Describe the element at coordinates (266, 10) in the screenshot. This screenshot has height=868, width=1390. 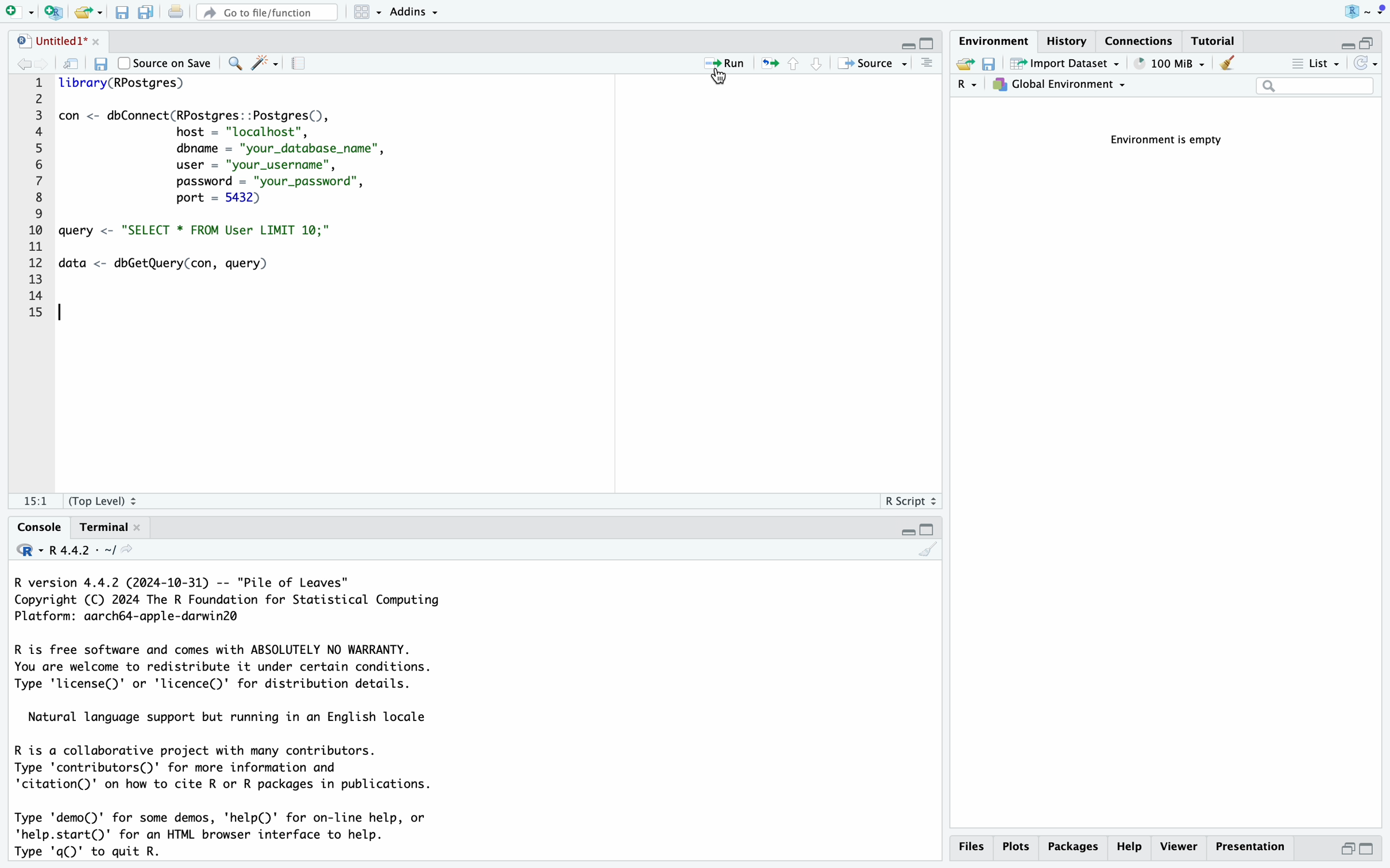
I see `go to file/function` at that location.